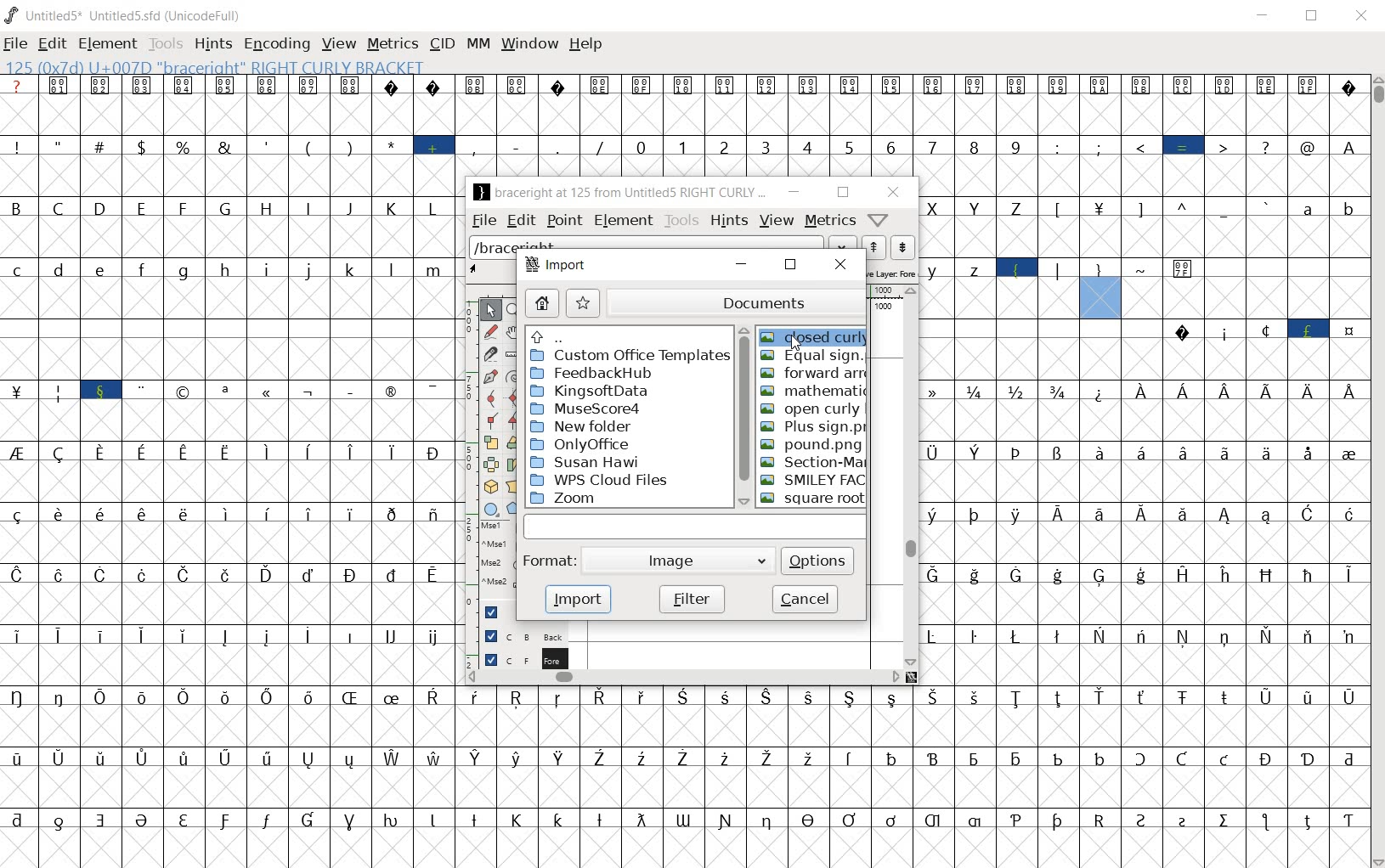 The width and height of the screenshot is (1385, 868). Describe the element at coordinates (811, 409) in the screenshot. I see `open curly` at that location.